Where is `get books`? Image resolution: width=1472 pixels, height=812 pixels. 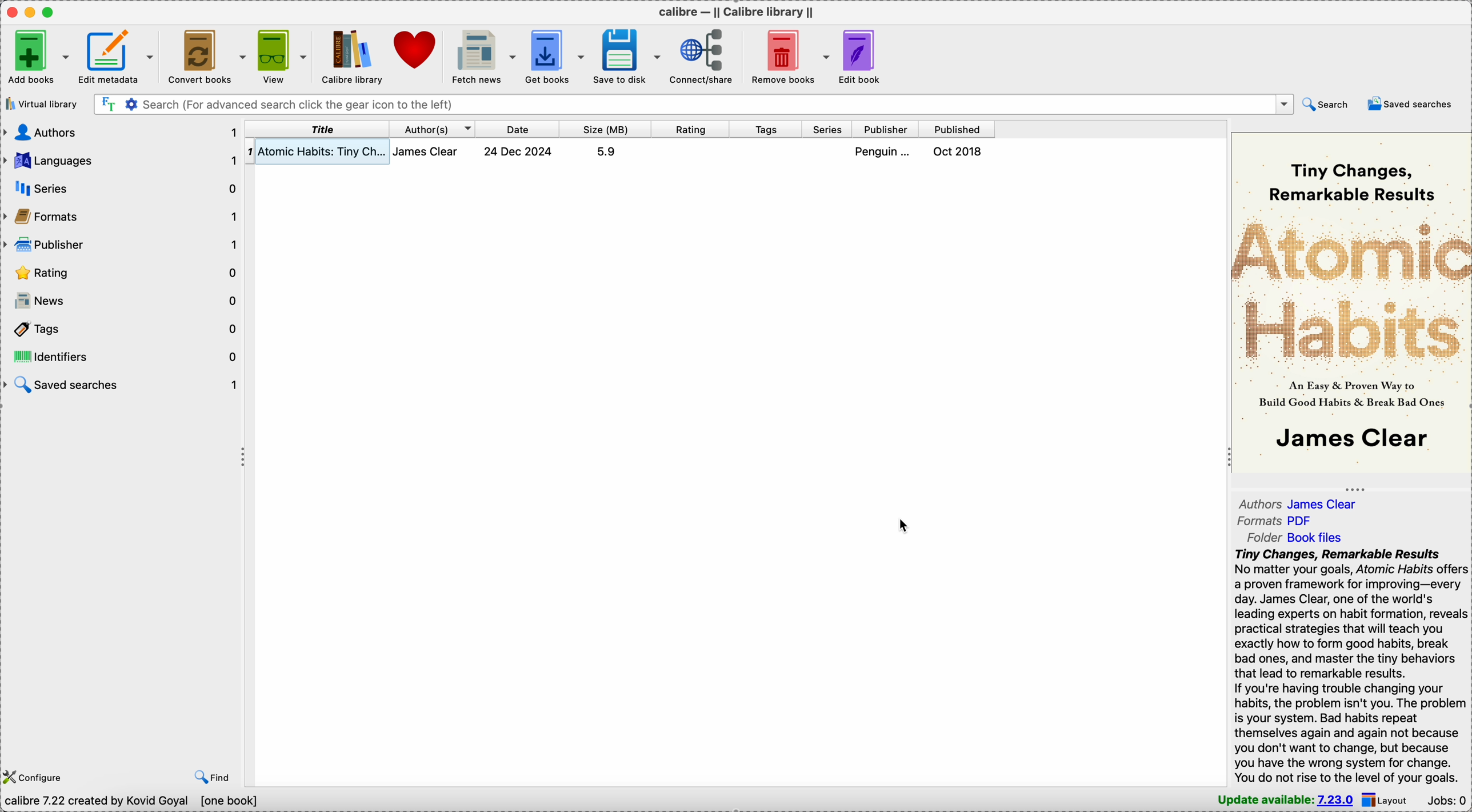
get books is located at coordinates (557, 55).